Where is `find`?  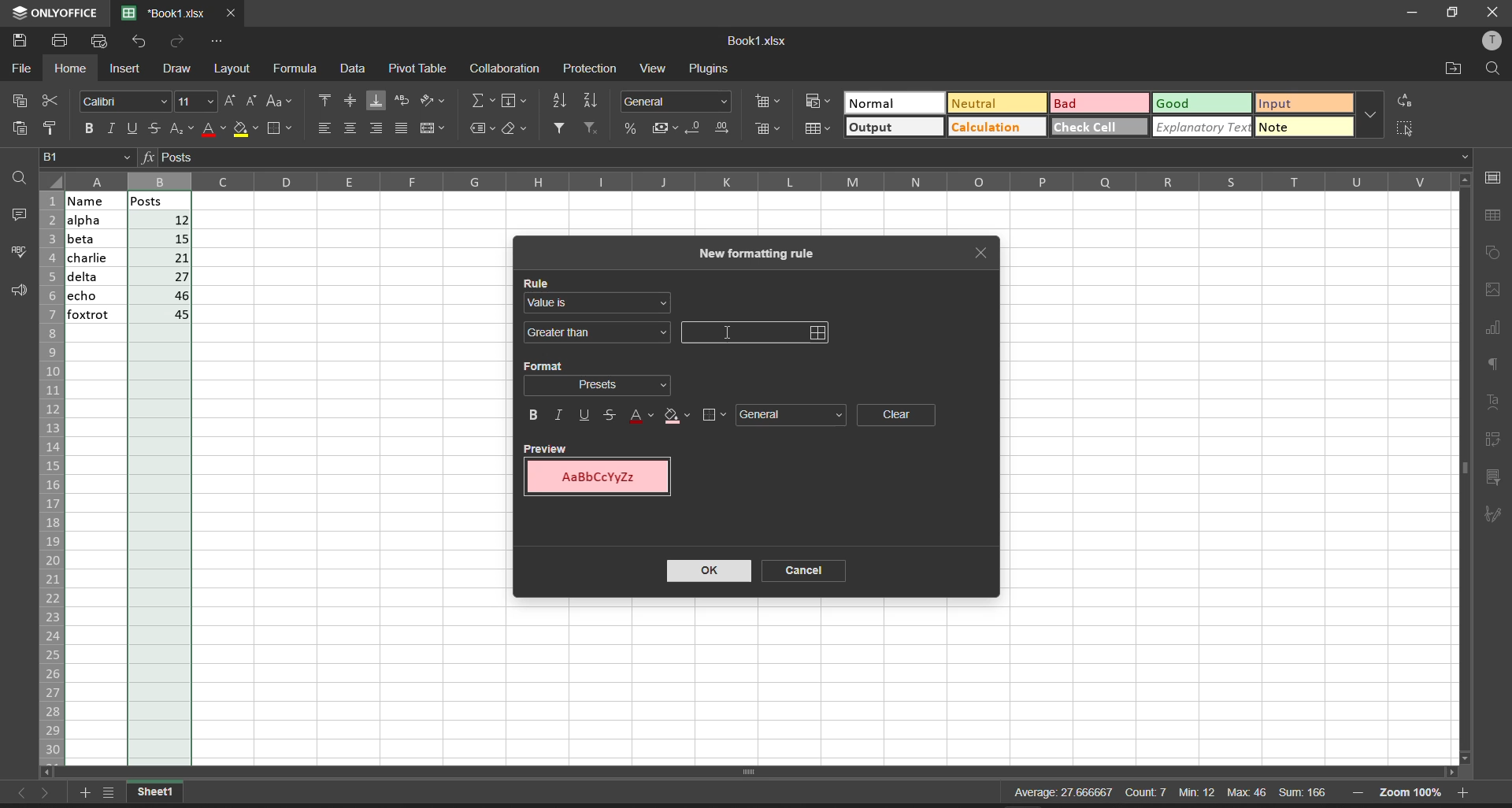
find is located at coordinates (1494, 68).